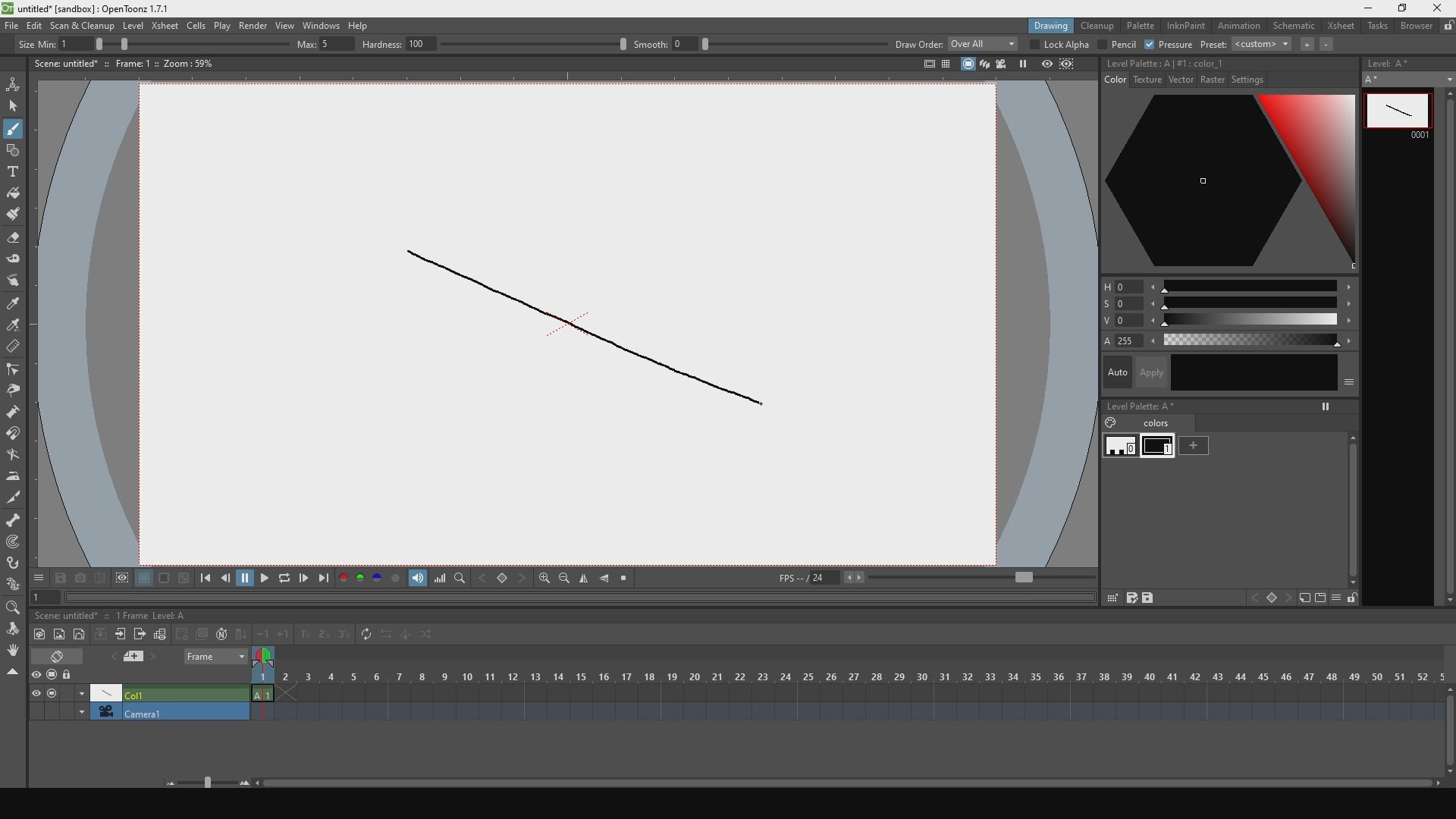 Image resolution: width=1456 pixels, height=819 pixels. Describe the element at coordinates (758, 43) in the screenshot. I see `smooth` at that location.